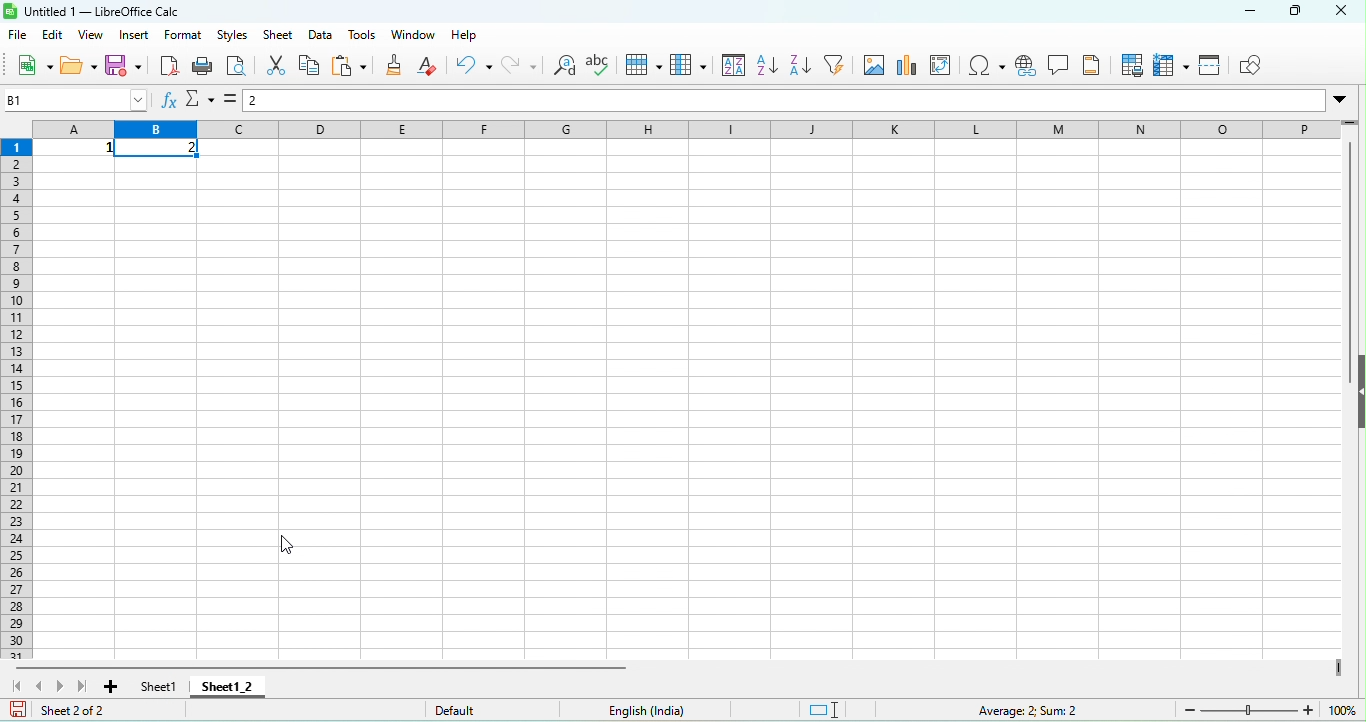  I want to click on find and replace, so click(565, 70).